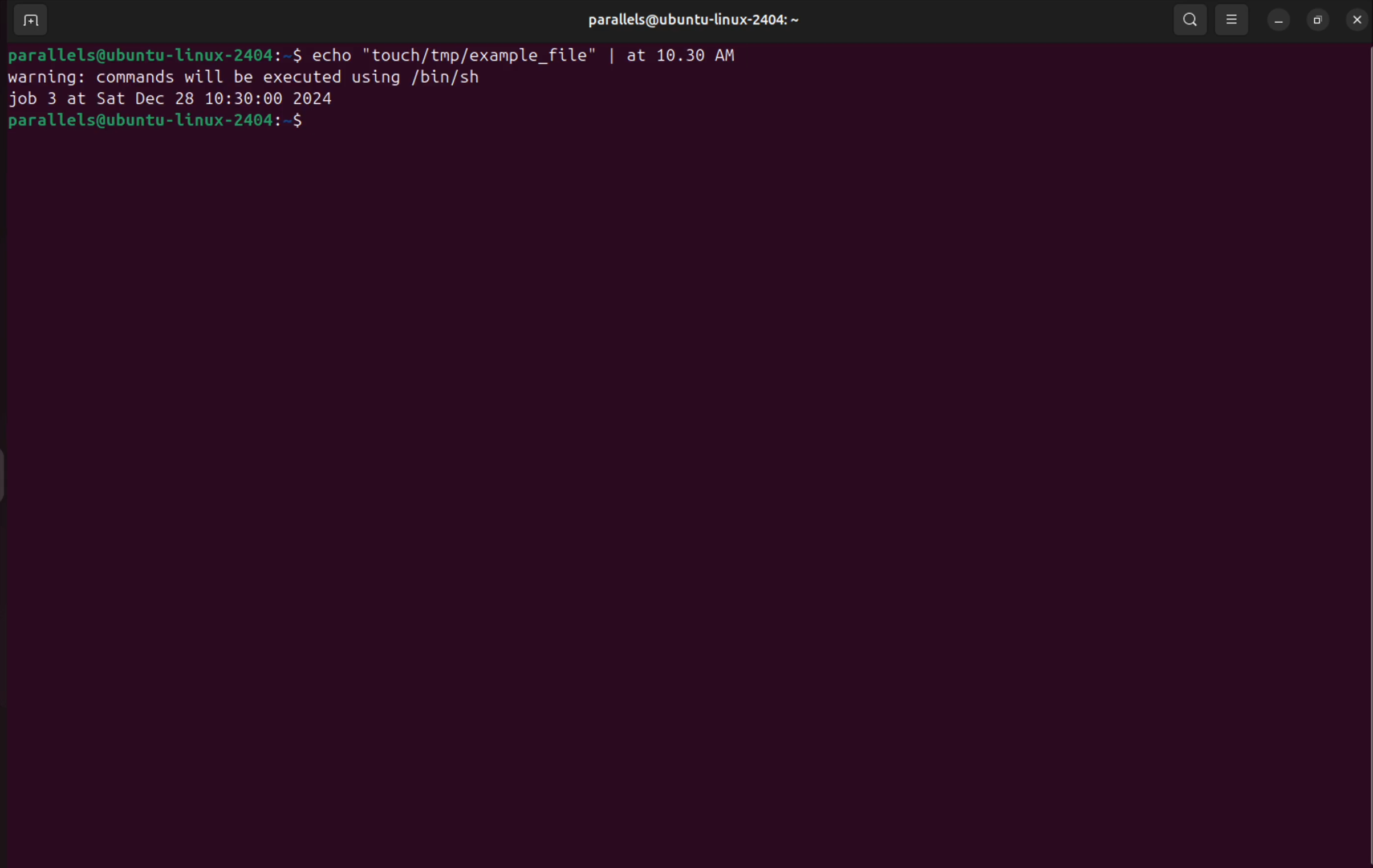 Image resolution: width=1373 pixels, height=868 pixels. What do you see at coordinates (691, 21) in the screenshot?
I see `parallels user profile` at bounding box center [691, 21].